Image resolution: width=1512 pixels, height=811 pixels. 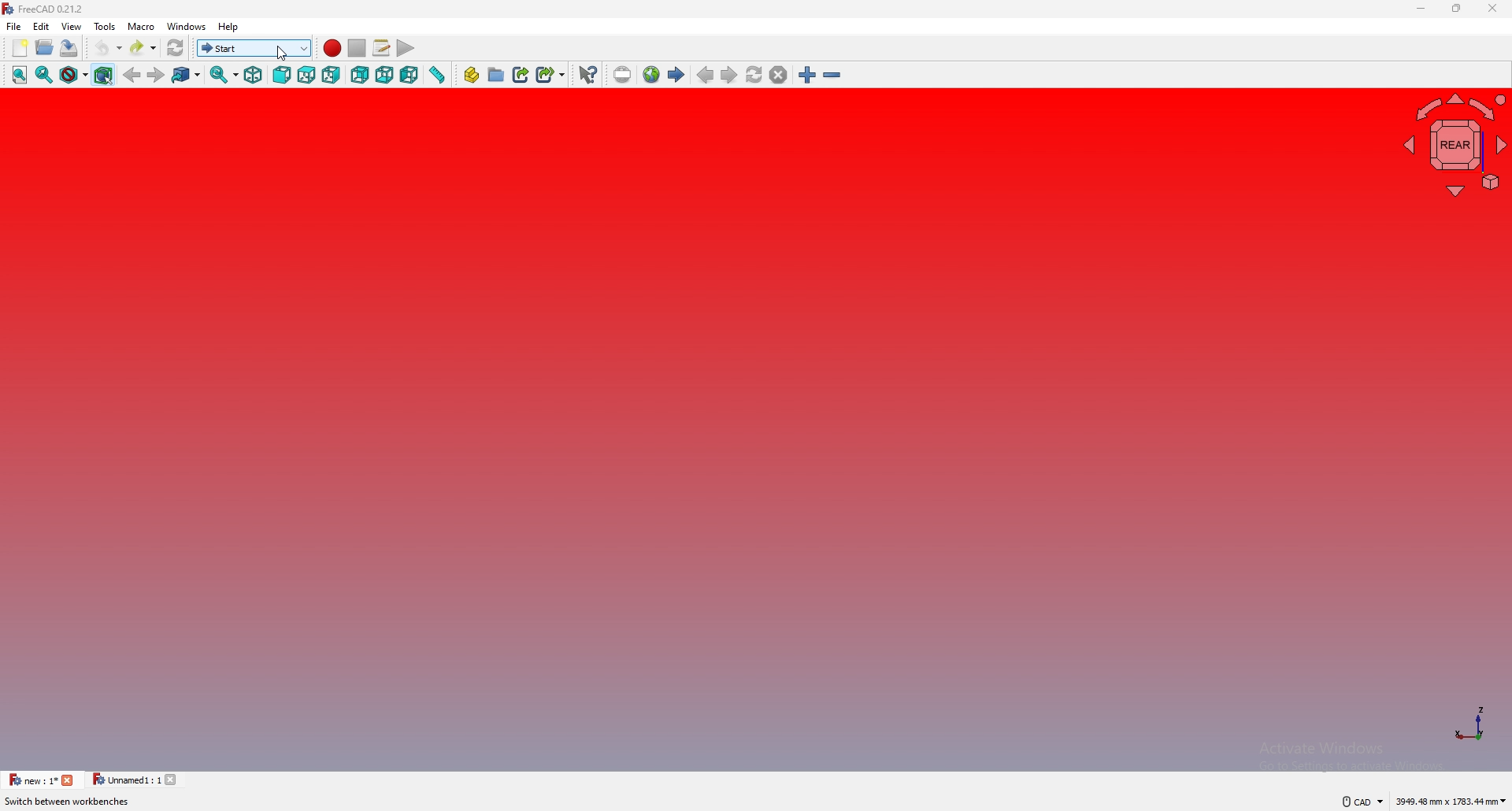 I want to click on redo, so click(x=145, y=47).